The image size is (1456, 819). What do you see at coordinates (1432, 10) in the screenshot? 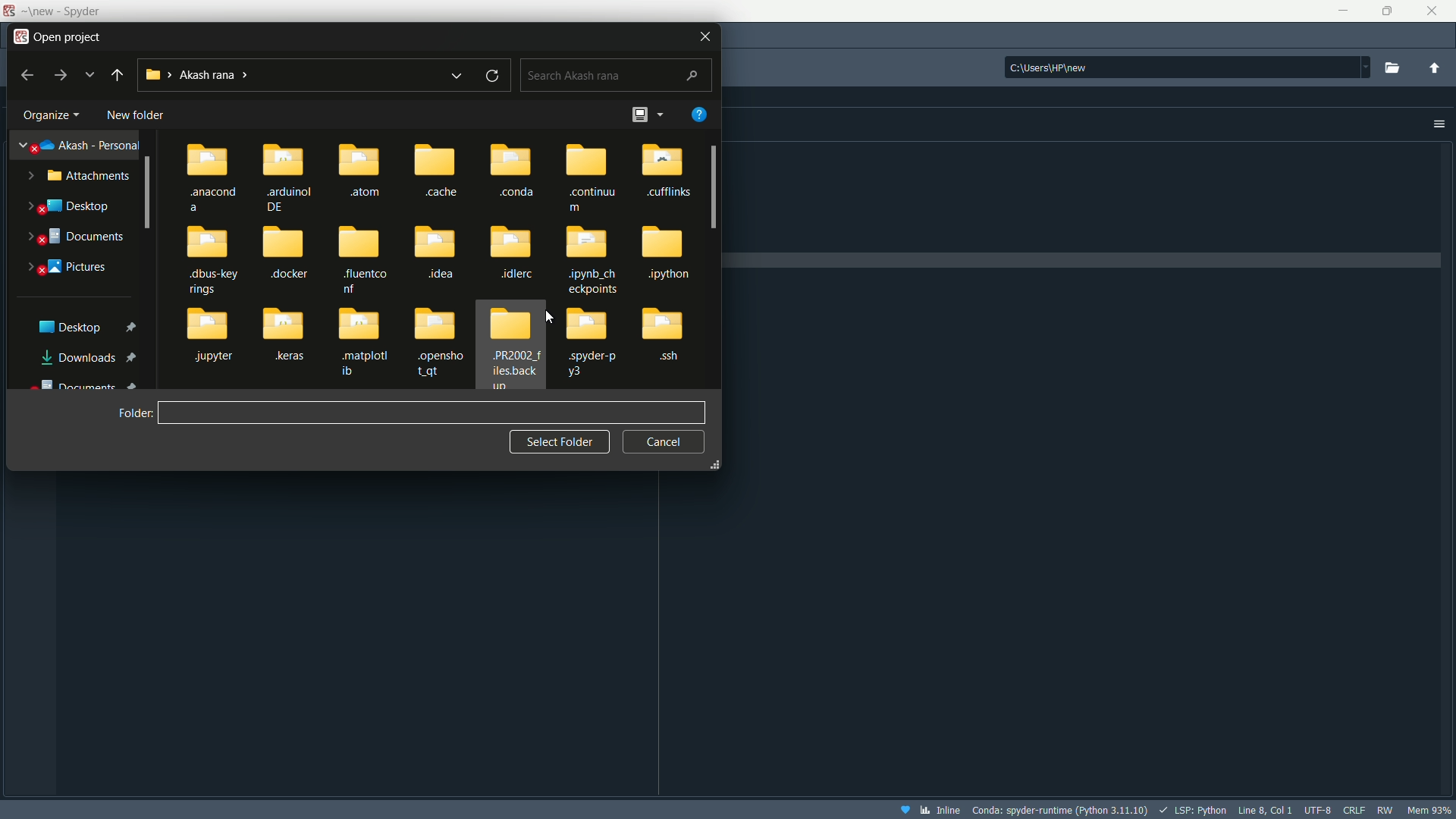
I see `close ` at bounding box center [1432, 10].